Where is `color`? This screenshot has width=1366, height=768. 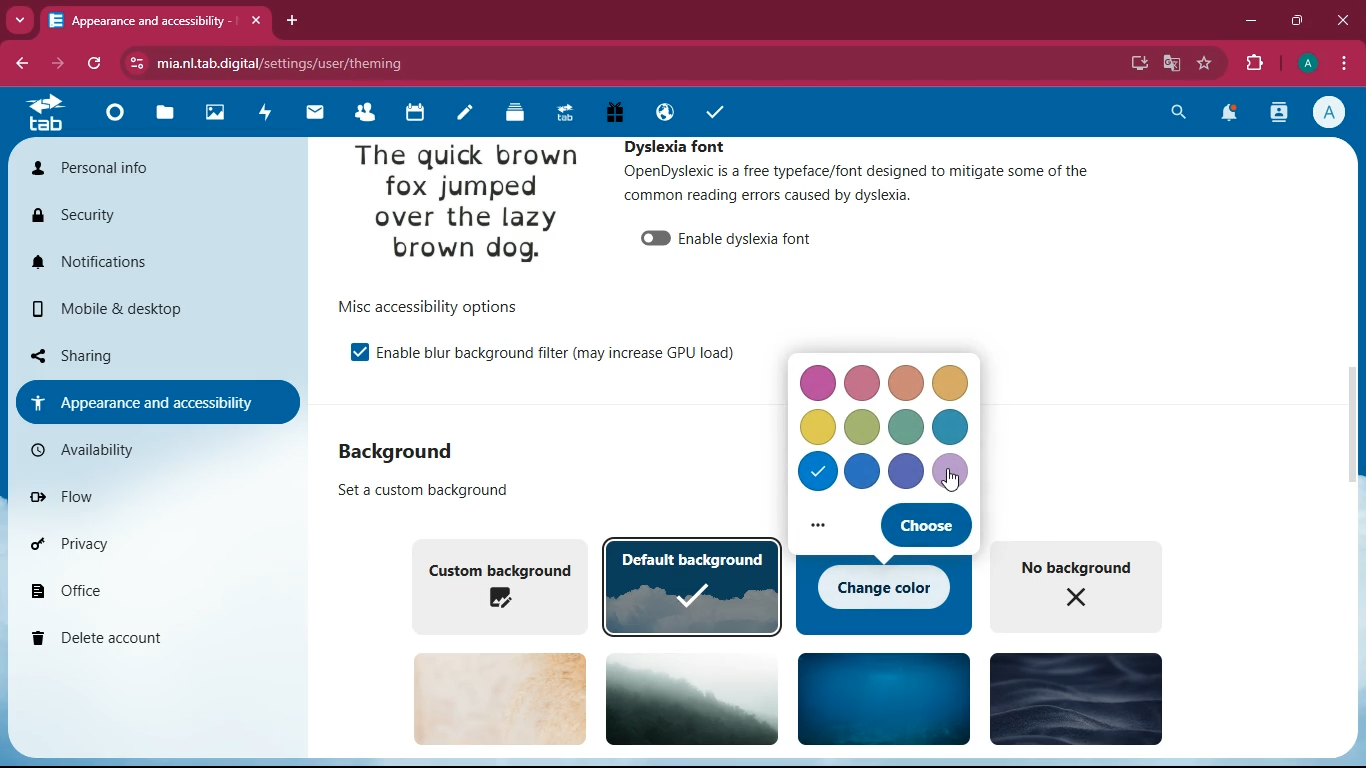 color is located at coordinates (907, 472).